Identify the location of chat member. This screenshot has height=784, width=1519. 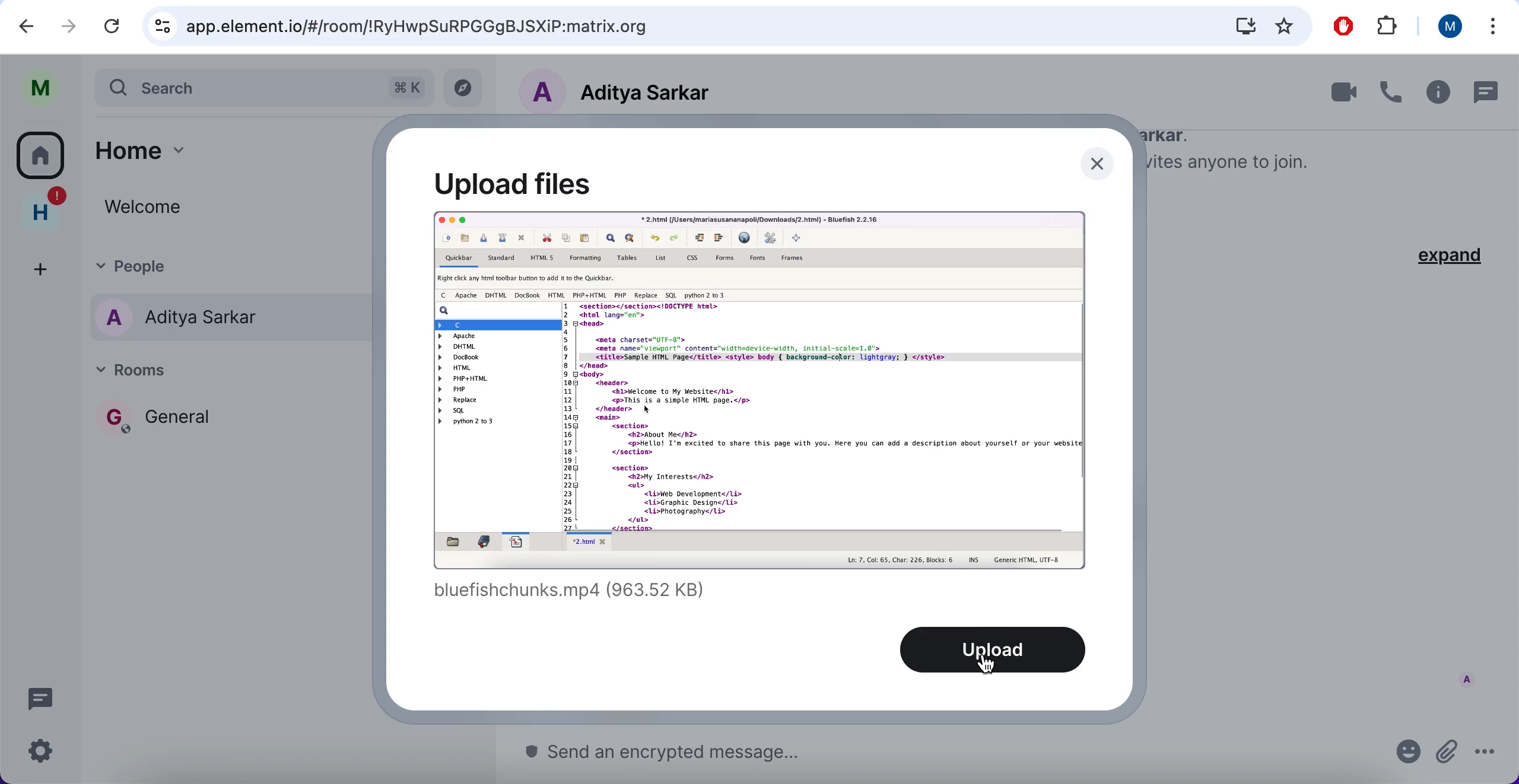
(663, 91).